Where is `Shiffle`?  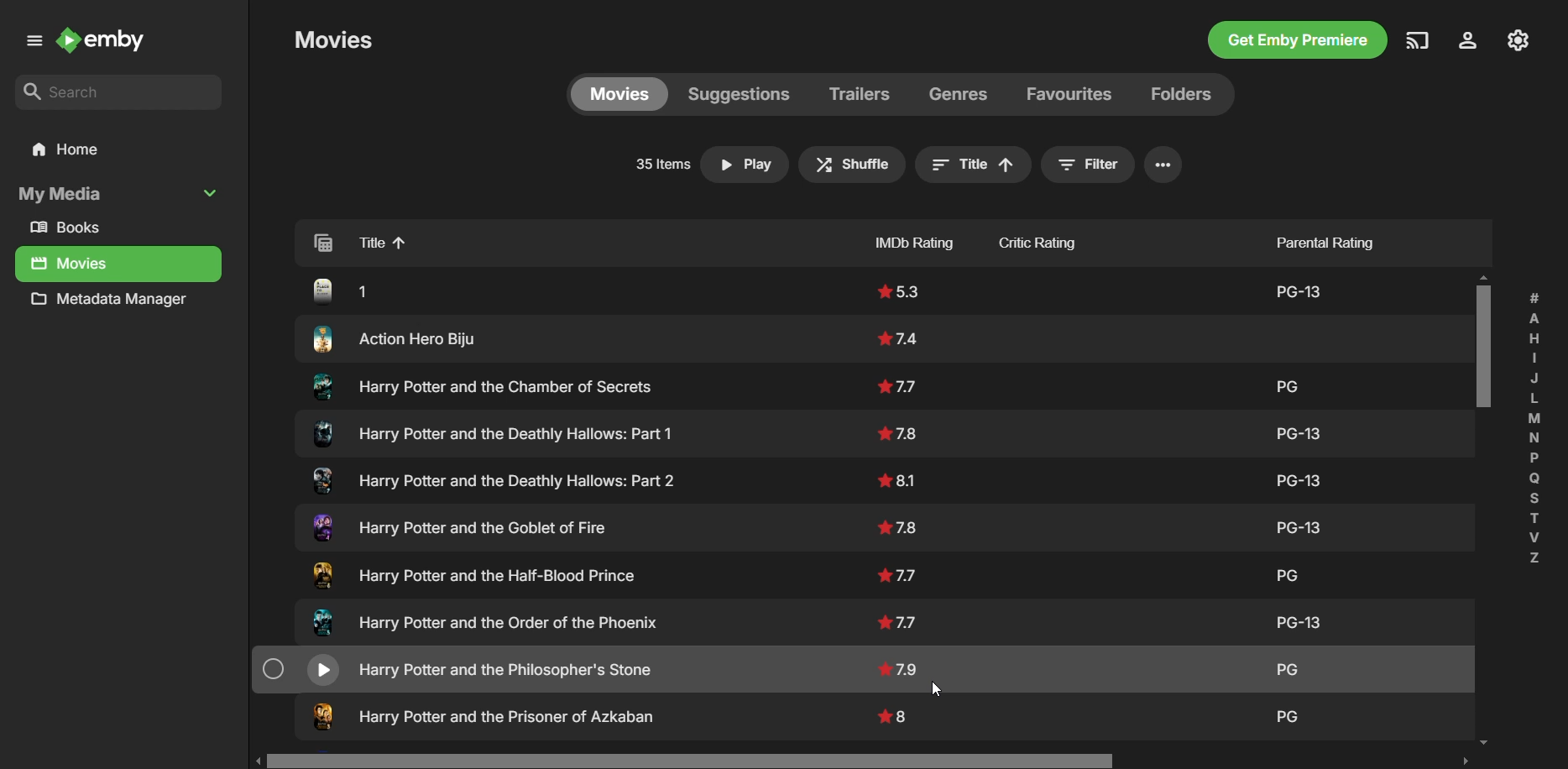
Shiffle is located at coordinates (854, 164).